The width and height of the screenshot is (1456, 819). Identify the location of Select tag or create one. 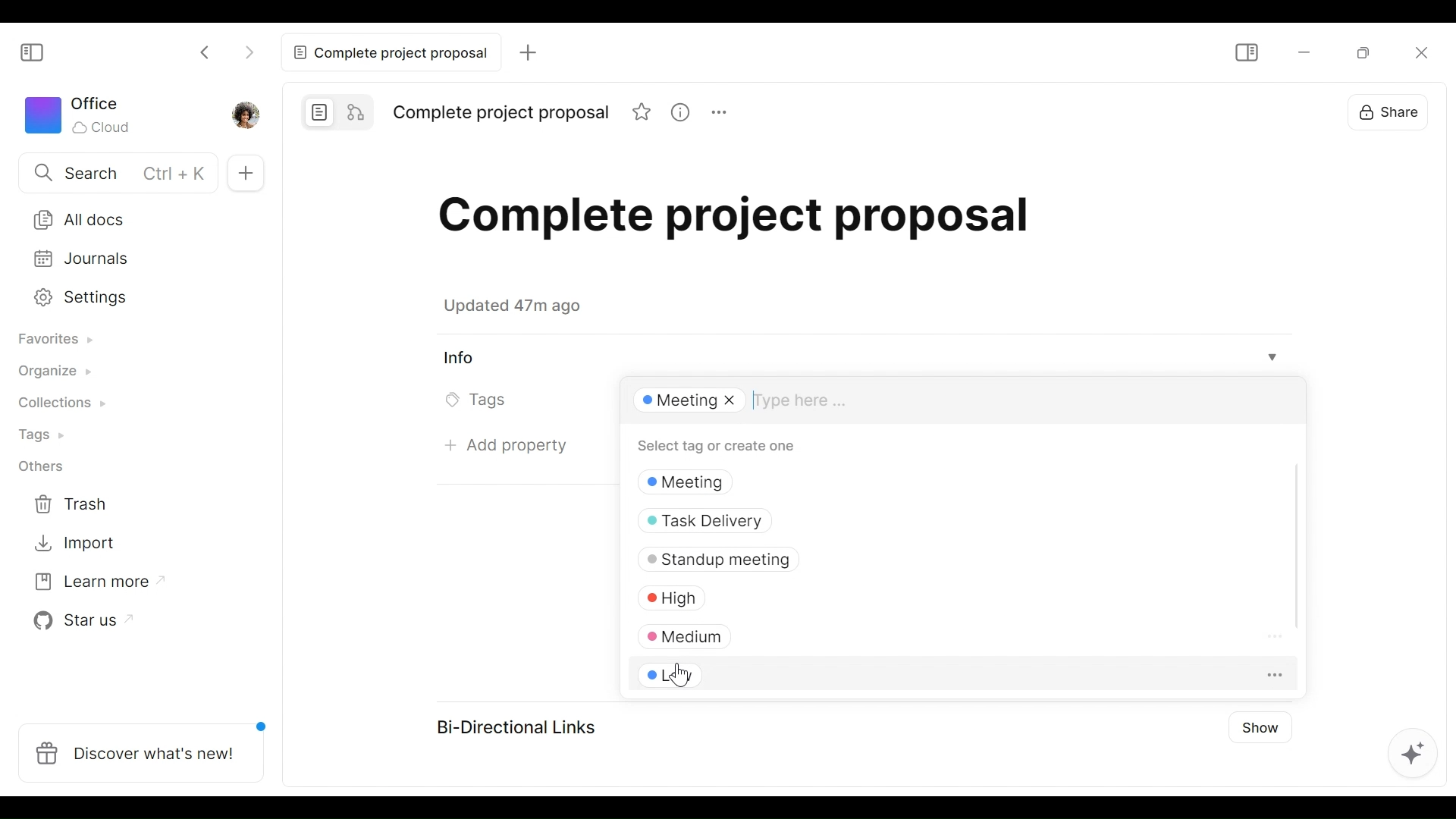
(732, 447).